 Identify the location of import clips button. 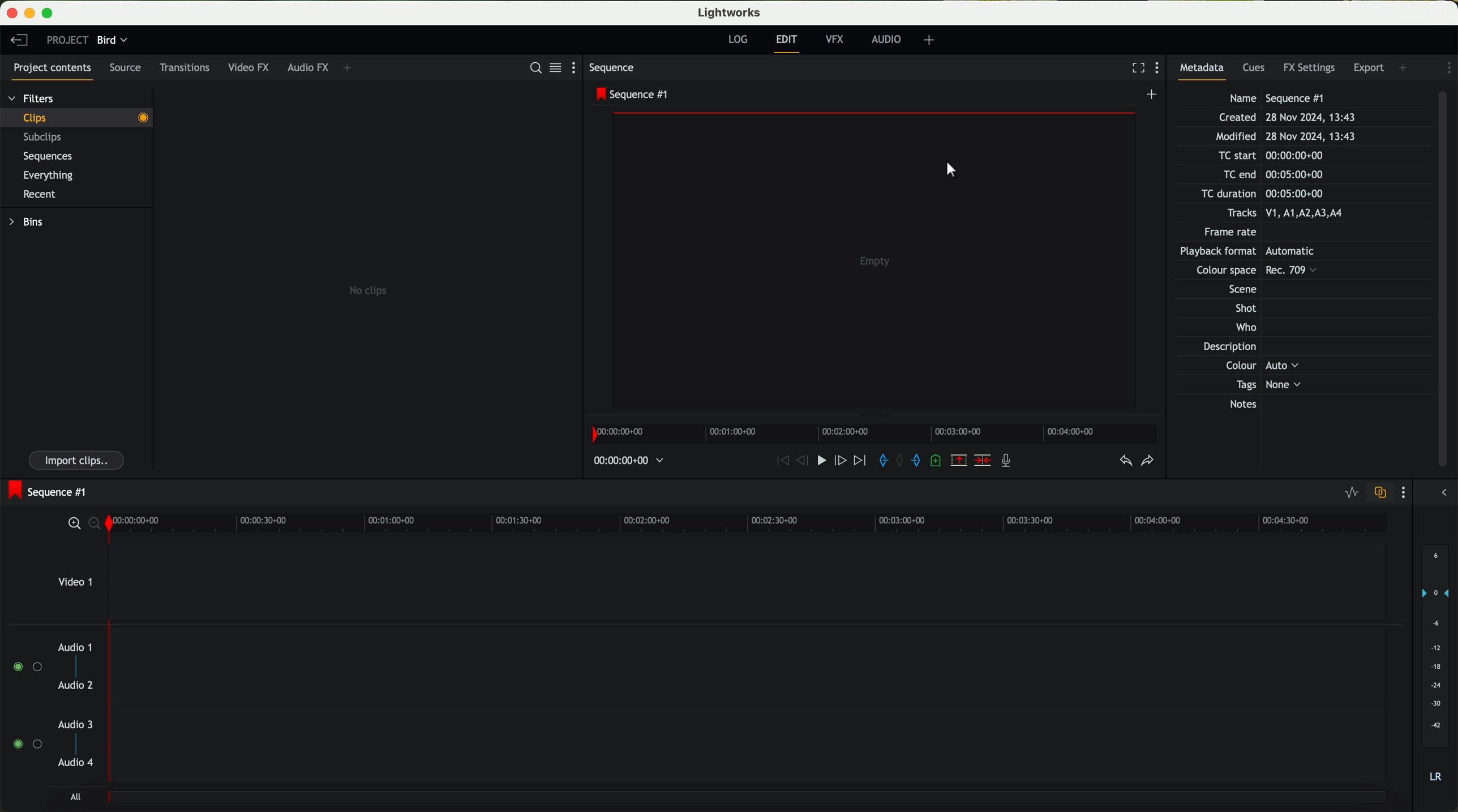
(78, 459).